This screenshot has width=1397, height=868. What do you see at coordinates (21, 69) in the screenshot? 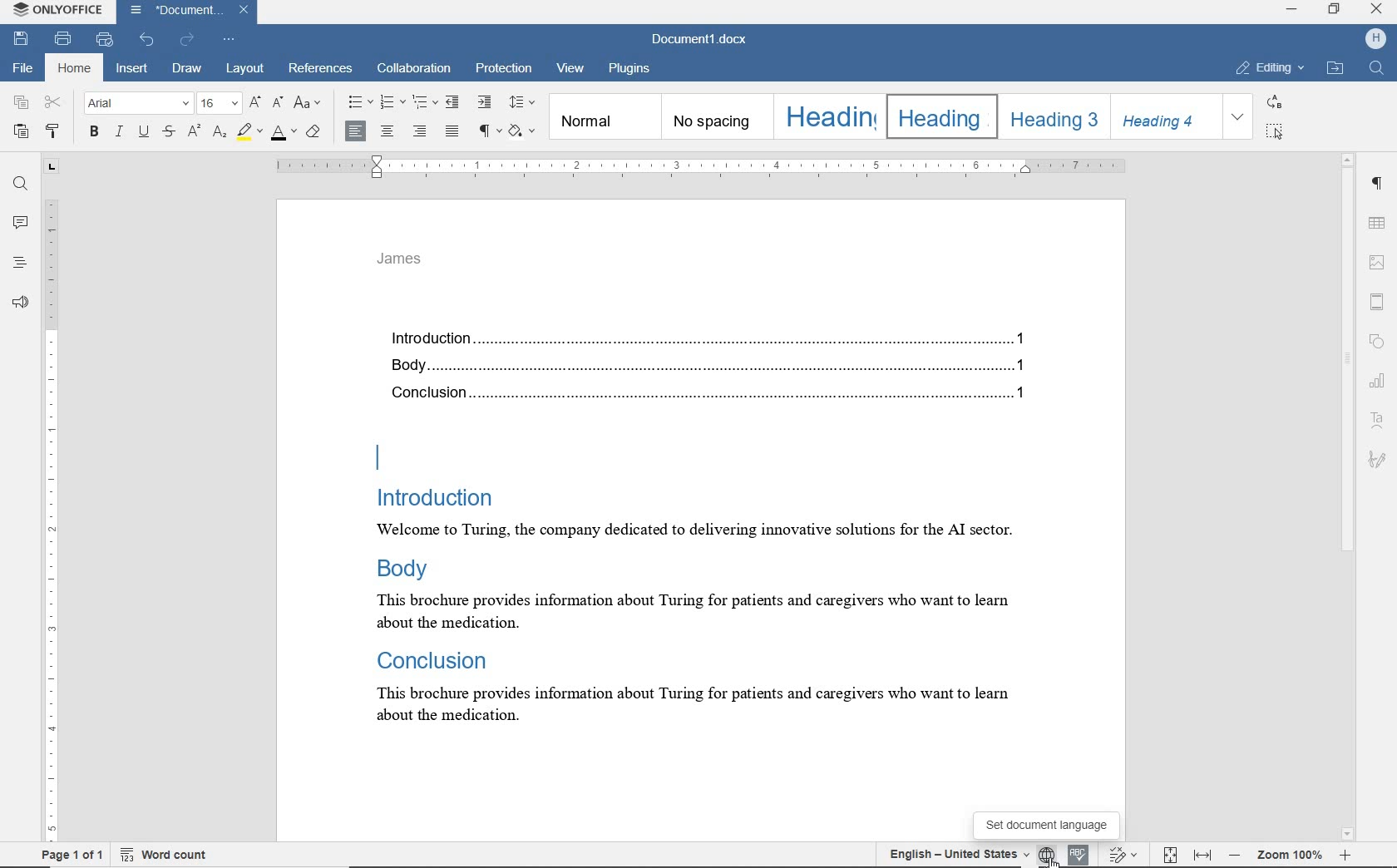
I see `file` at bounding box center [21, 69].